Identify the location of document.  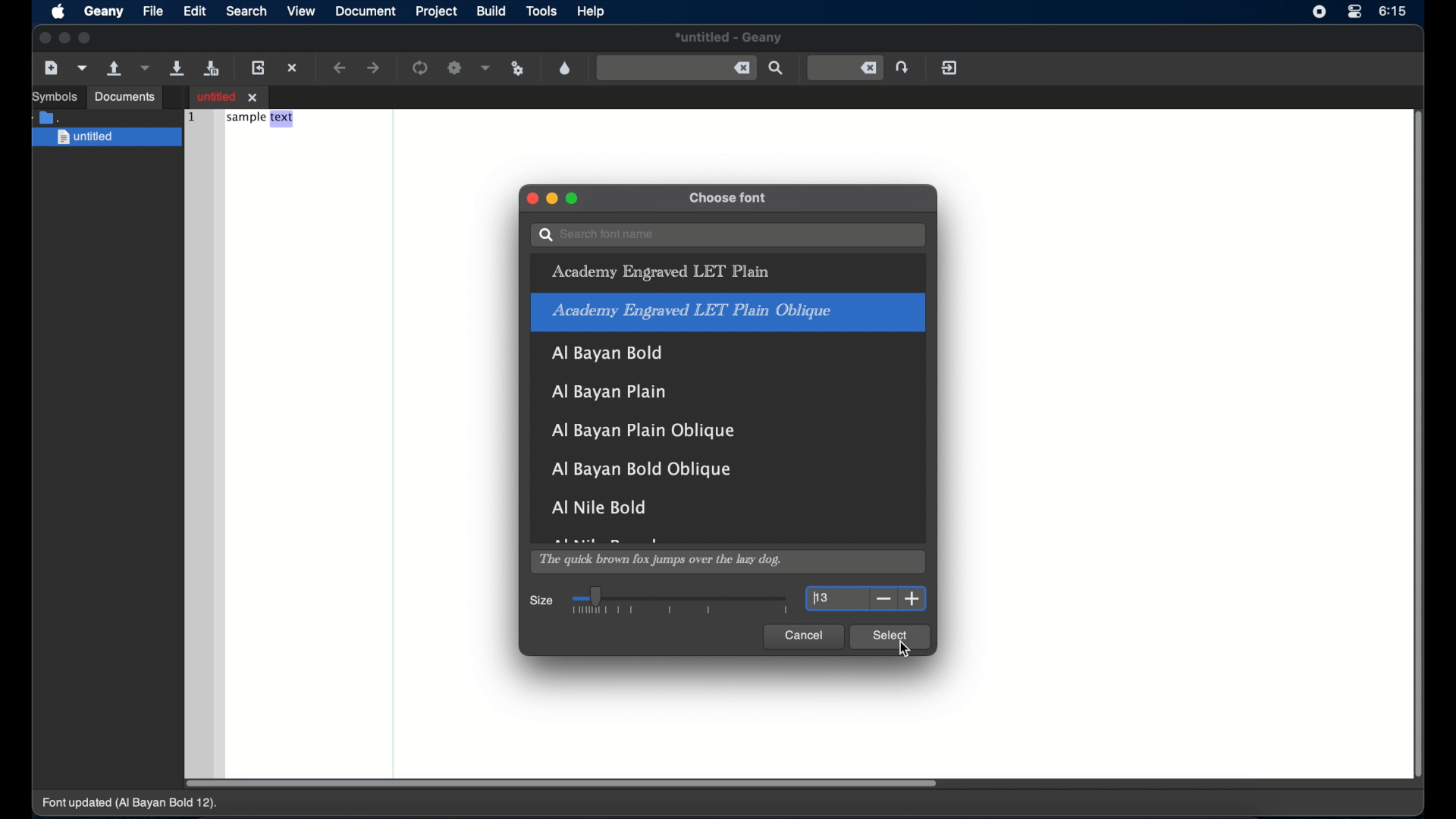
(366, 11).